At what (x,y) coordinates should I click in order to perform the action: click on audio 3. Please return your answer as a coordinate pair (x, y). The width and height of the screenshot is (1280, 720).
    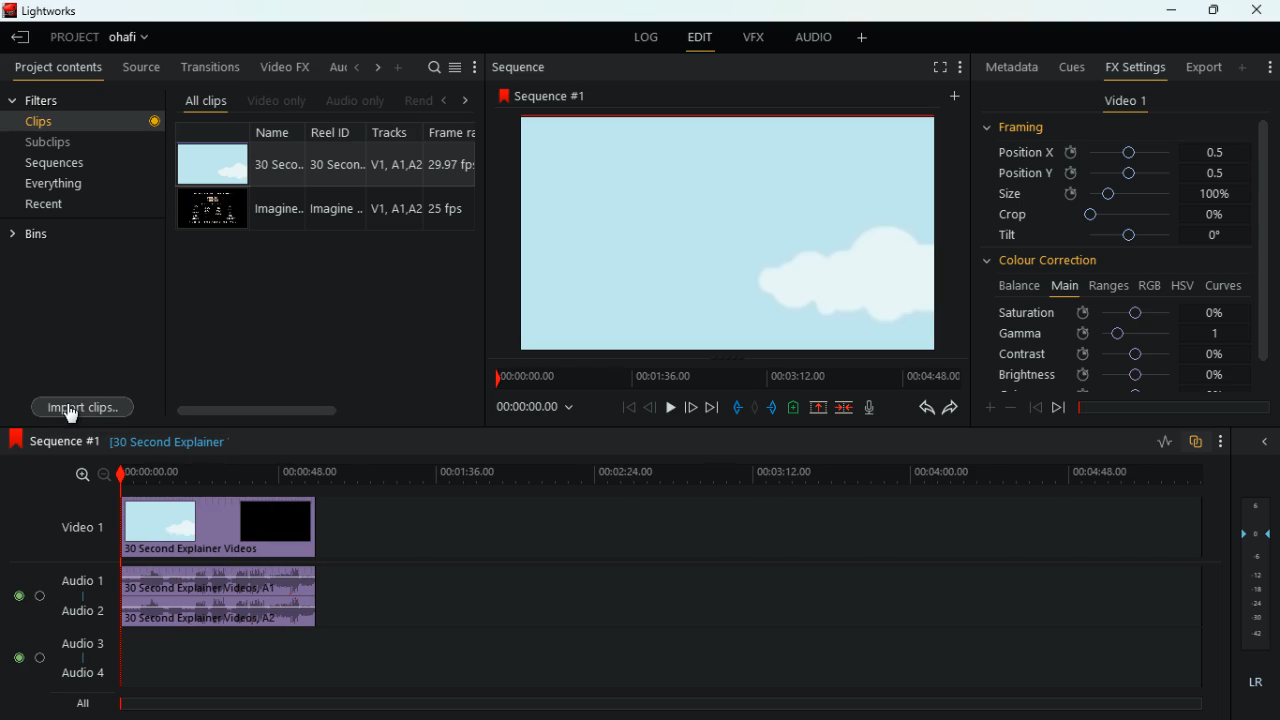
    Looking at the image, I should click on (77, 642).